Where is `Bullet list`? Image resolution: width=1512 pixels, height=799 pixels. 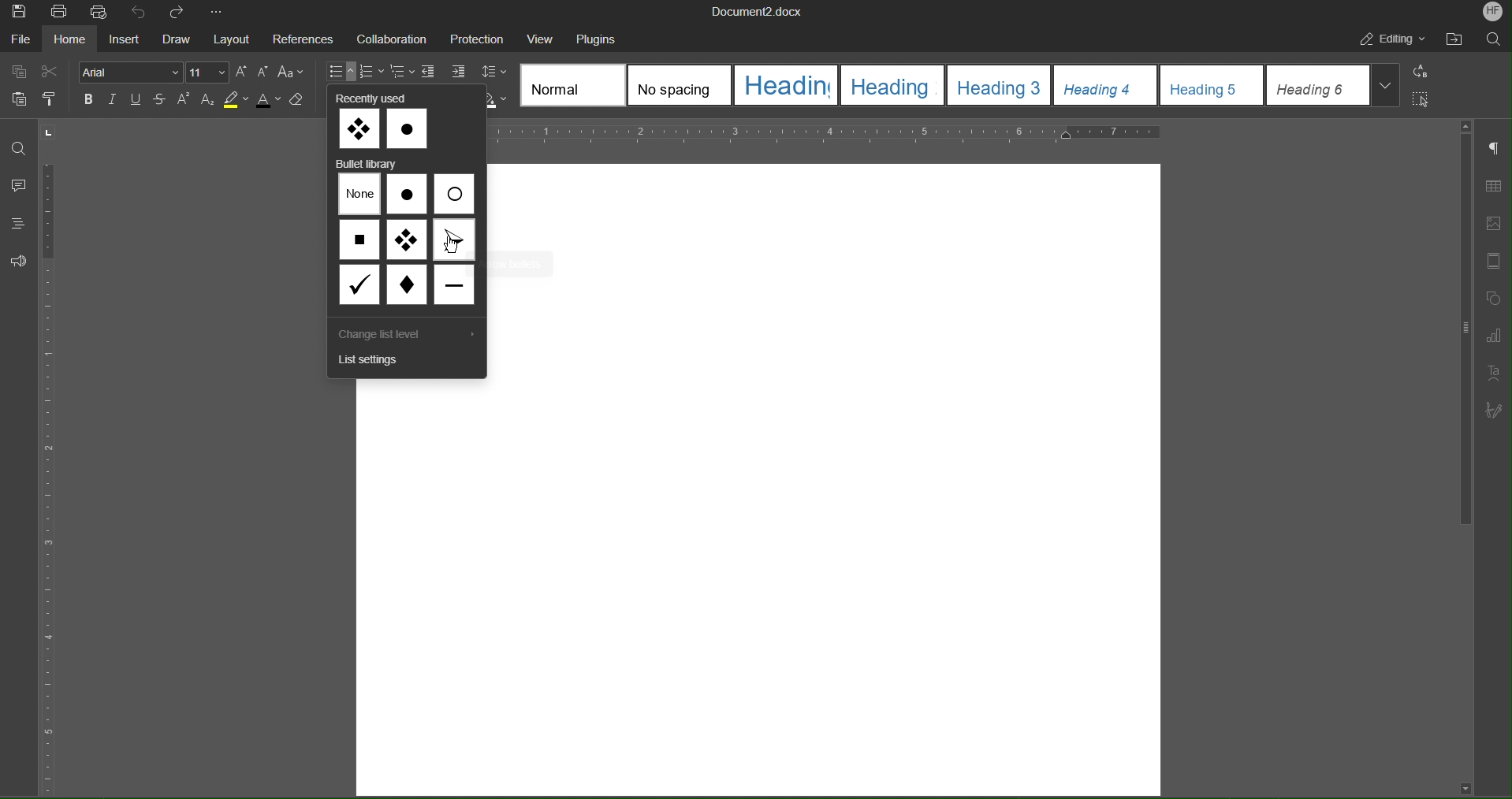 Bullet list is located at coordinates (343, 70).